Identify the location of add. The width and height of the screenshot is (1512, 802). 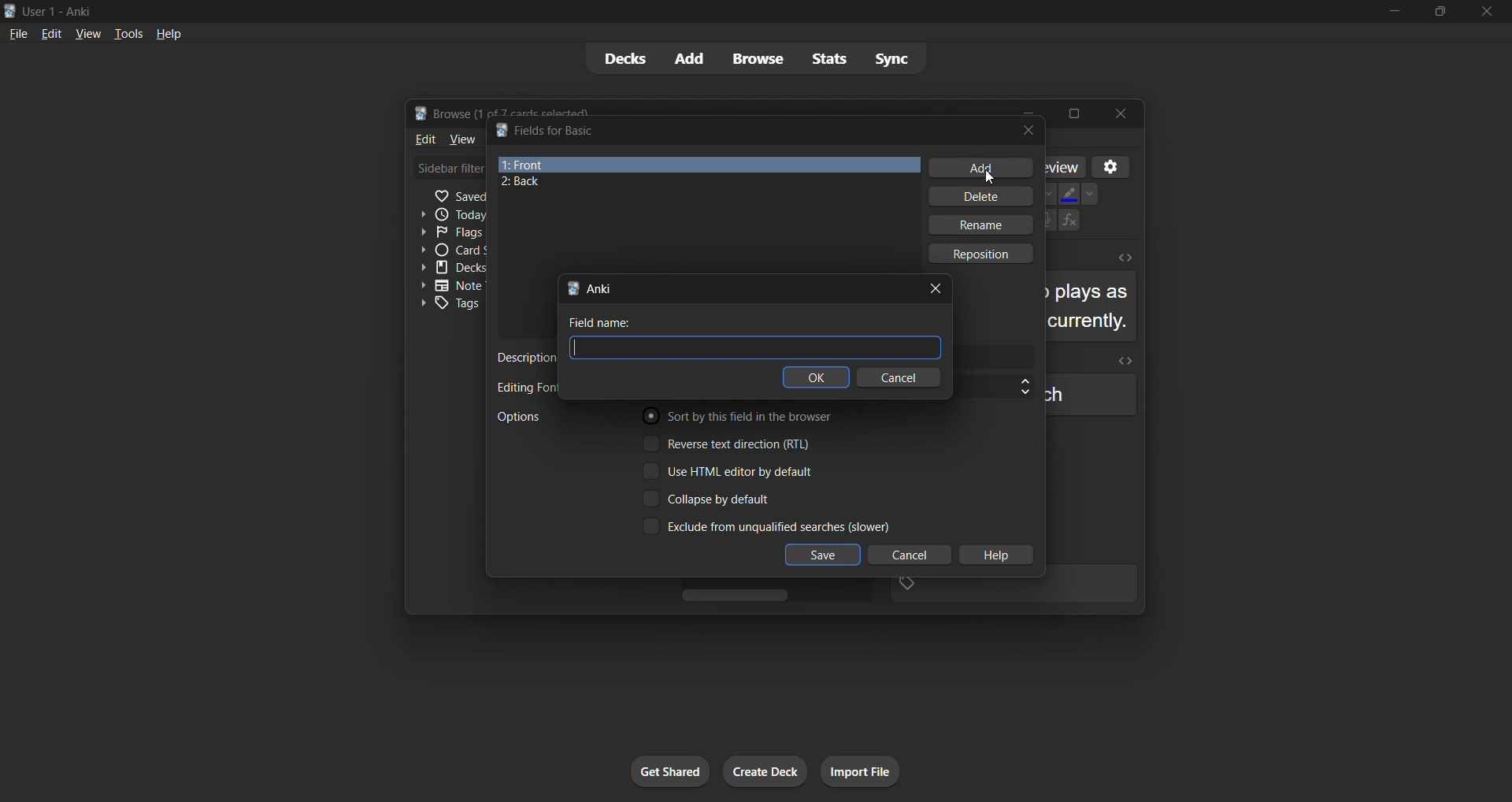
(691, 58).